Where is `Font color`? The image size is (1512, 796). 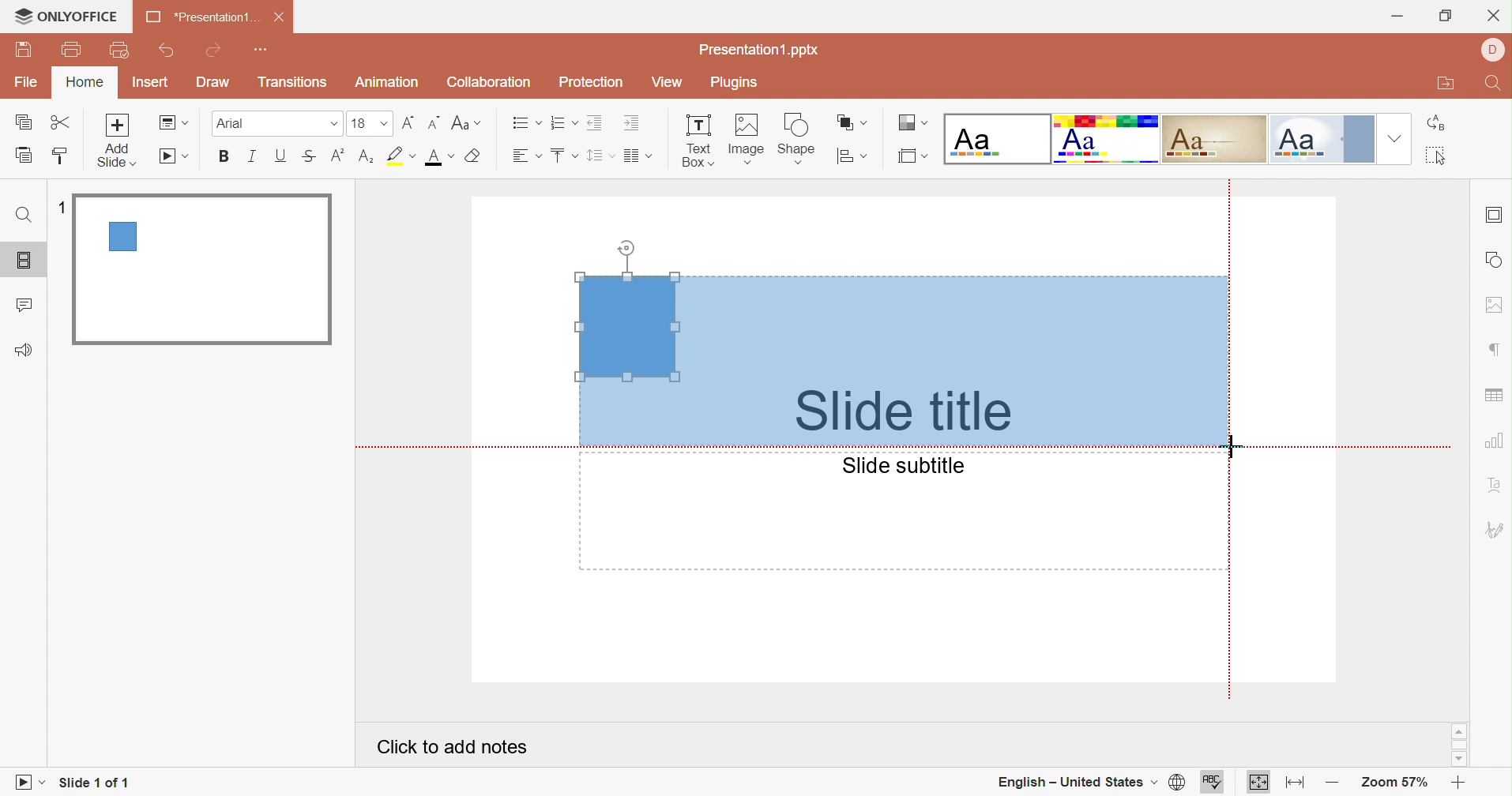 Font color is located at coordinates (441, 157).